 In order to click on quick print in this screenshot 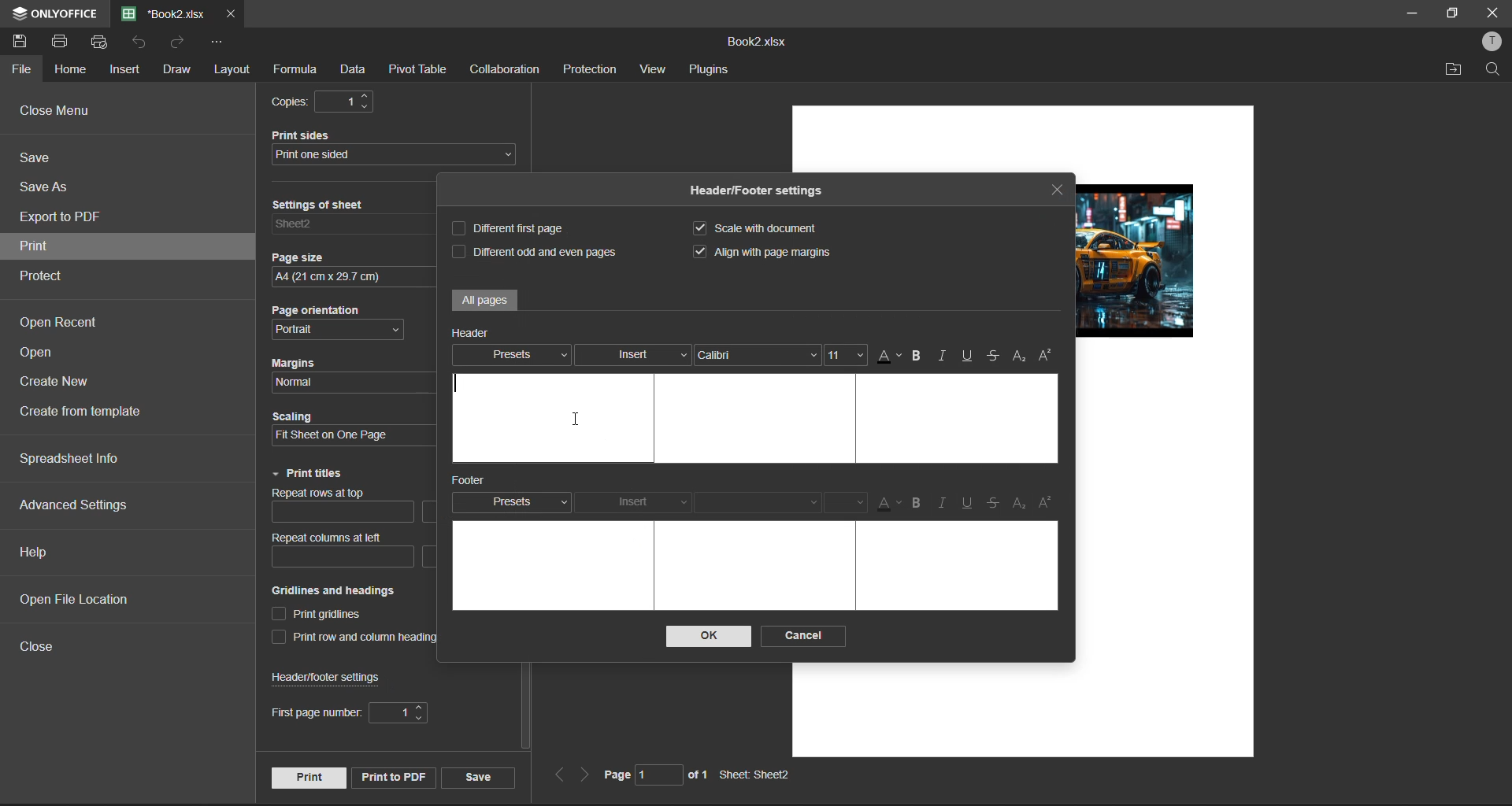, I will do `click(102, 42)`.